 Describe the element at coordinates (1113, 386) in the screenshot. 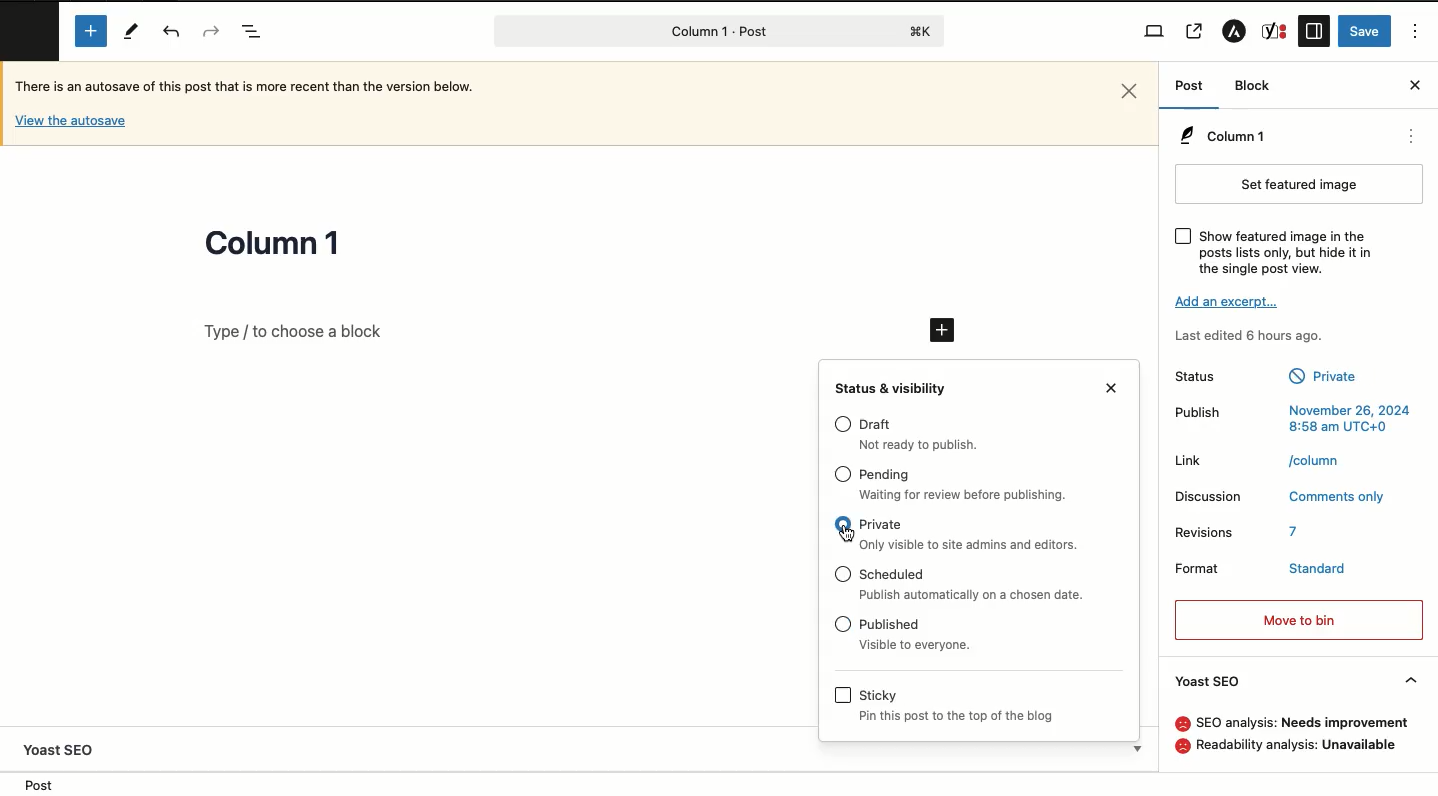

I see `Close` at that location.